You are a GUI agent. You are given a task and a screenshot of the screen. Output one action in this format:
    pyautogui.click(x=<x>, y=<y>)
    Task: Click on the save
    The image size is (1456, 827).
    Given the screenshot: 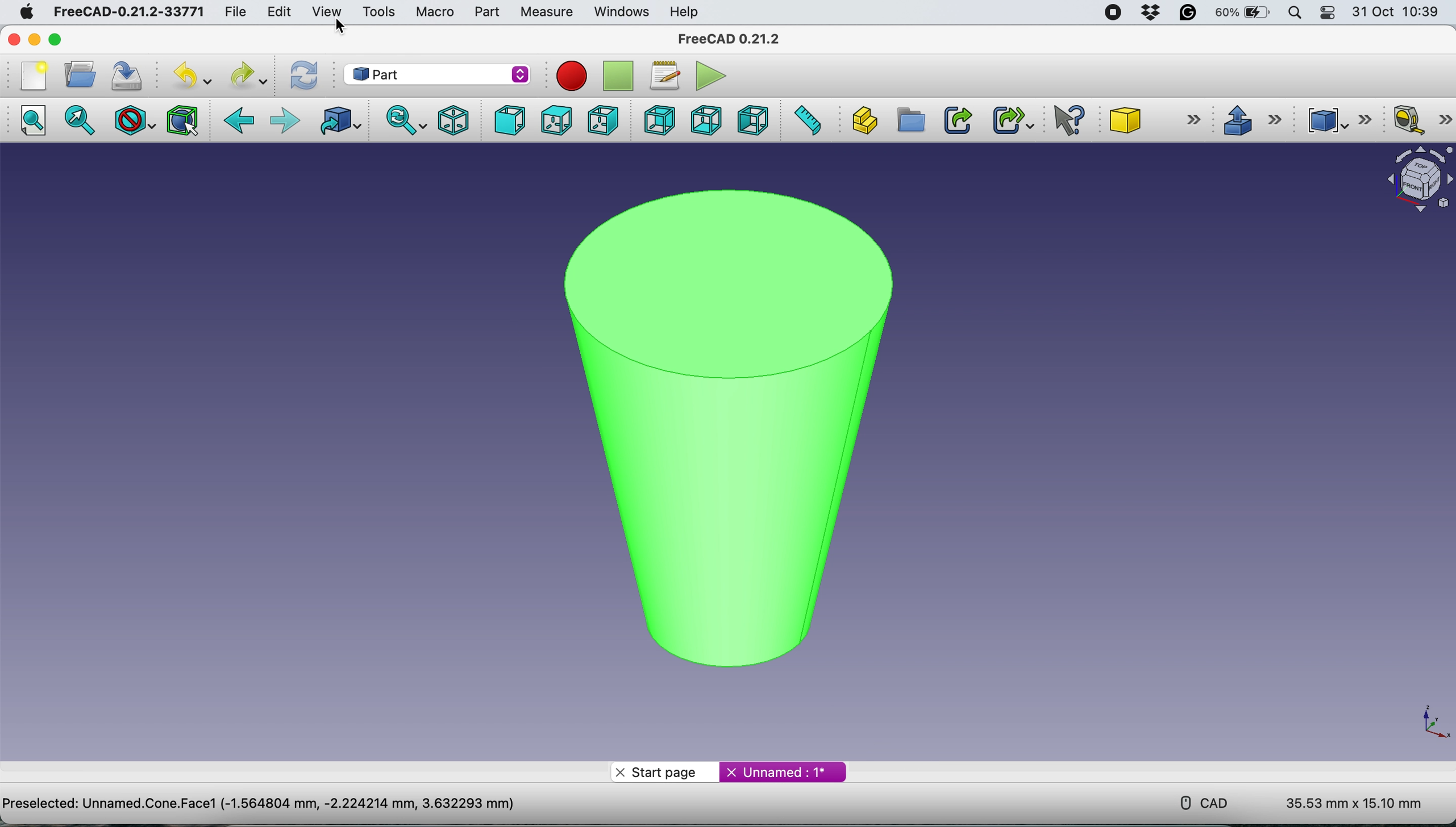 What is the action you would take?
    pyautogui.click(x=127, y=75)
    